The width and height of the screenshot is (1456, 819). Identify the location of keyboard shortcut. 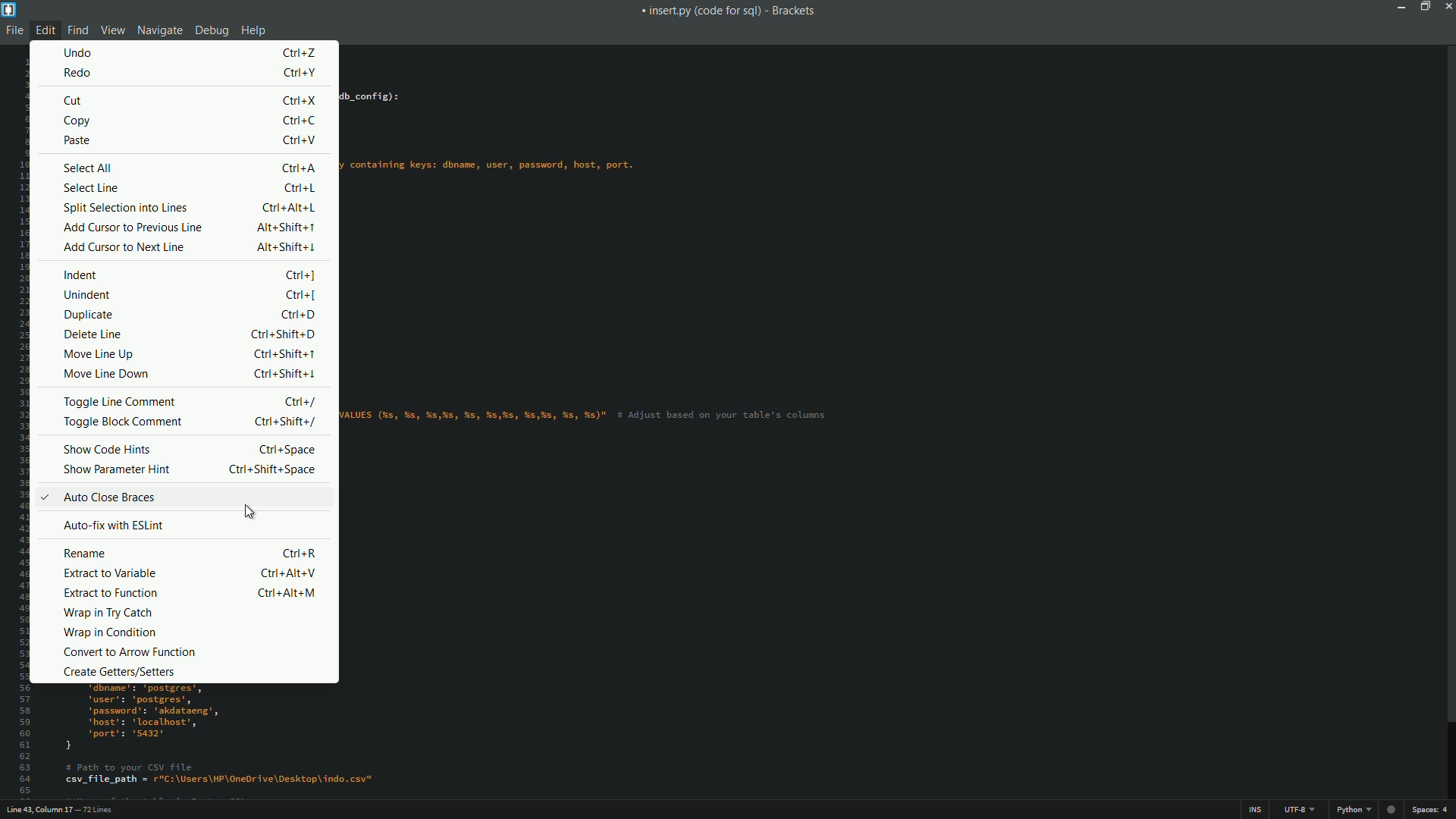
(303, 188).